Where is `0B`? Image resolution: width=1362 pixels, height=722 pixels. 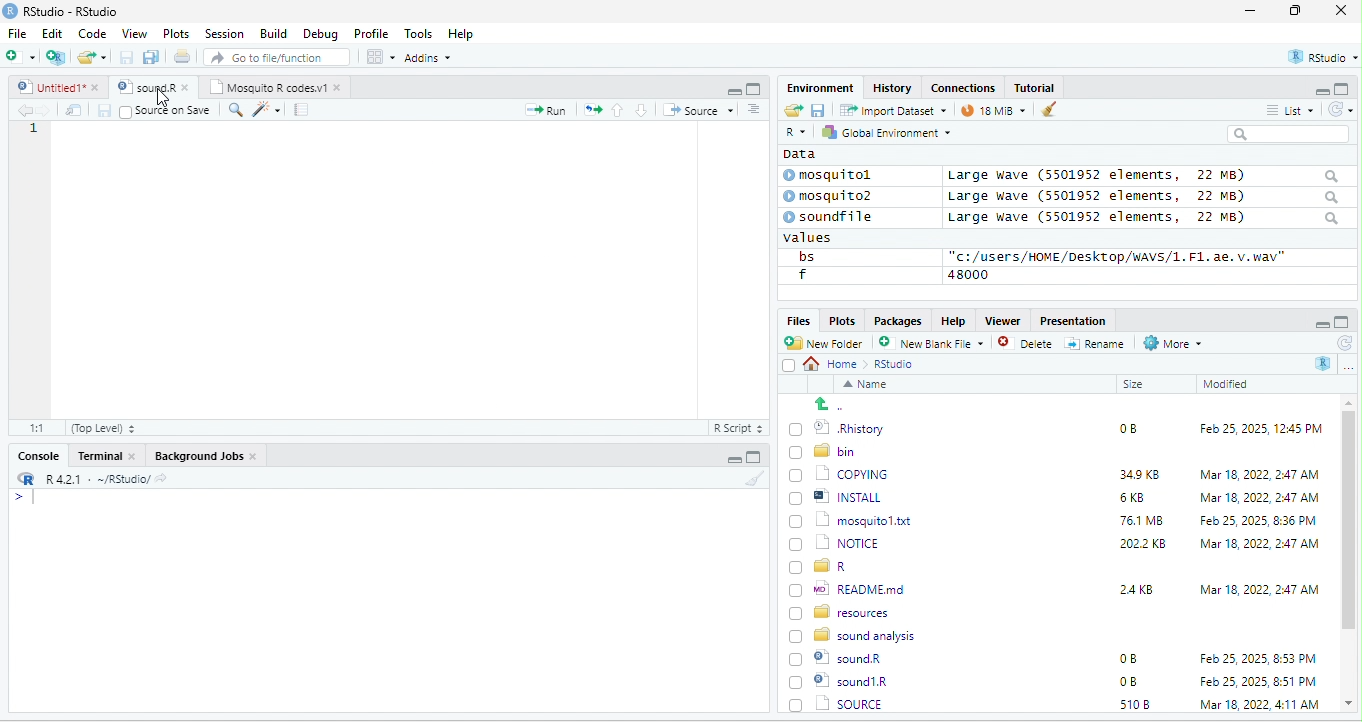
0B is located at coordinates (1127, 659).